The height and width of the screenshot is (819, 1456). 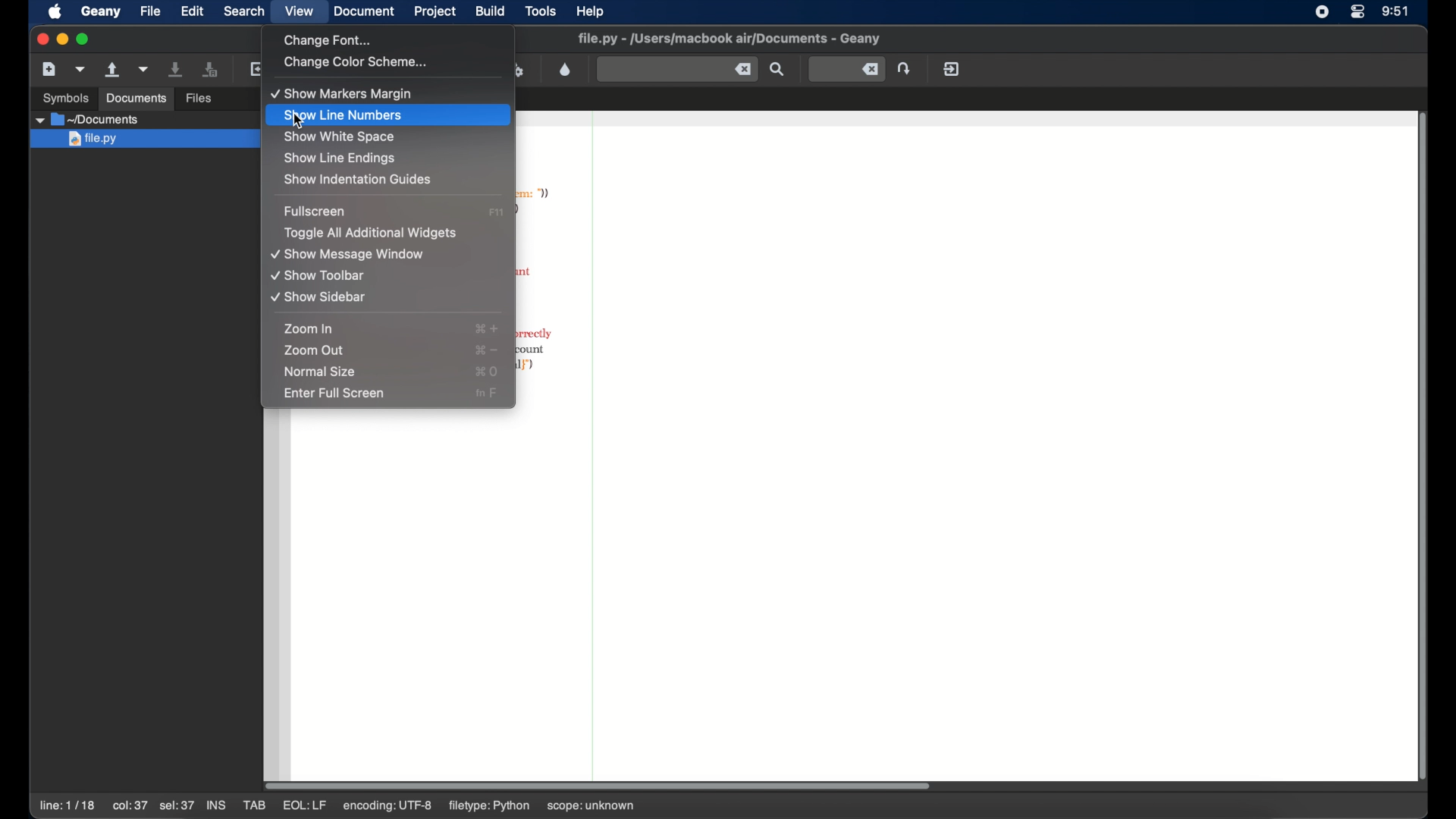 What do you see at coordinates (435, 12) in the screenshot?
I see `project` at bounding box center [435, 12].